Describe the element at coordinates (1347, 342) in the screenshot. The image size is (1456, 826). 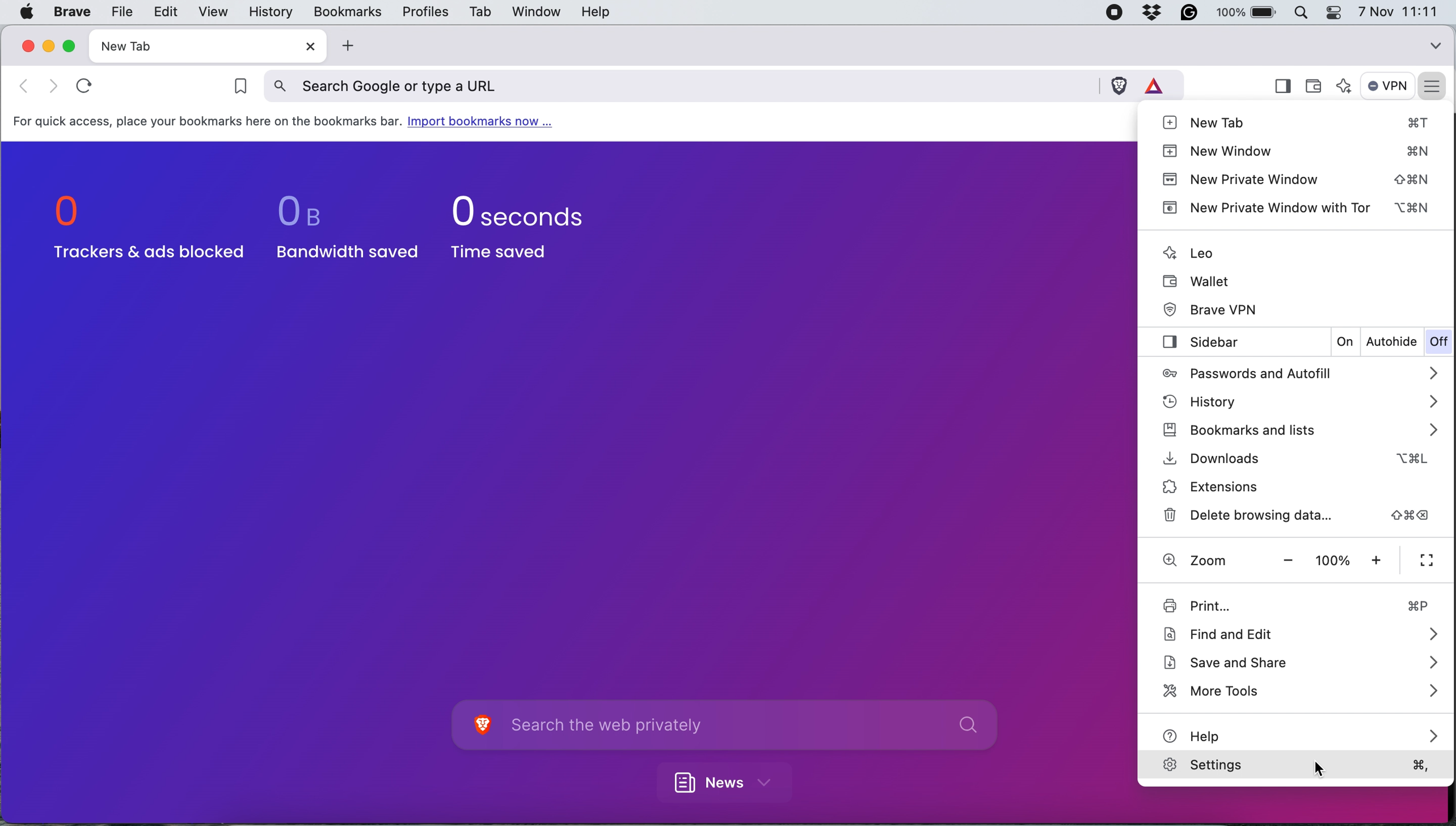
I see `on` at that location.